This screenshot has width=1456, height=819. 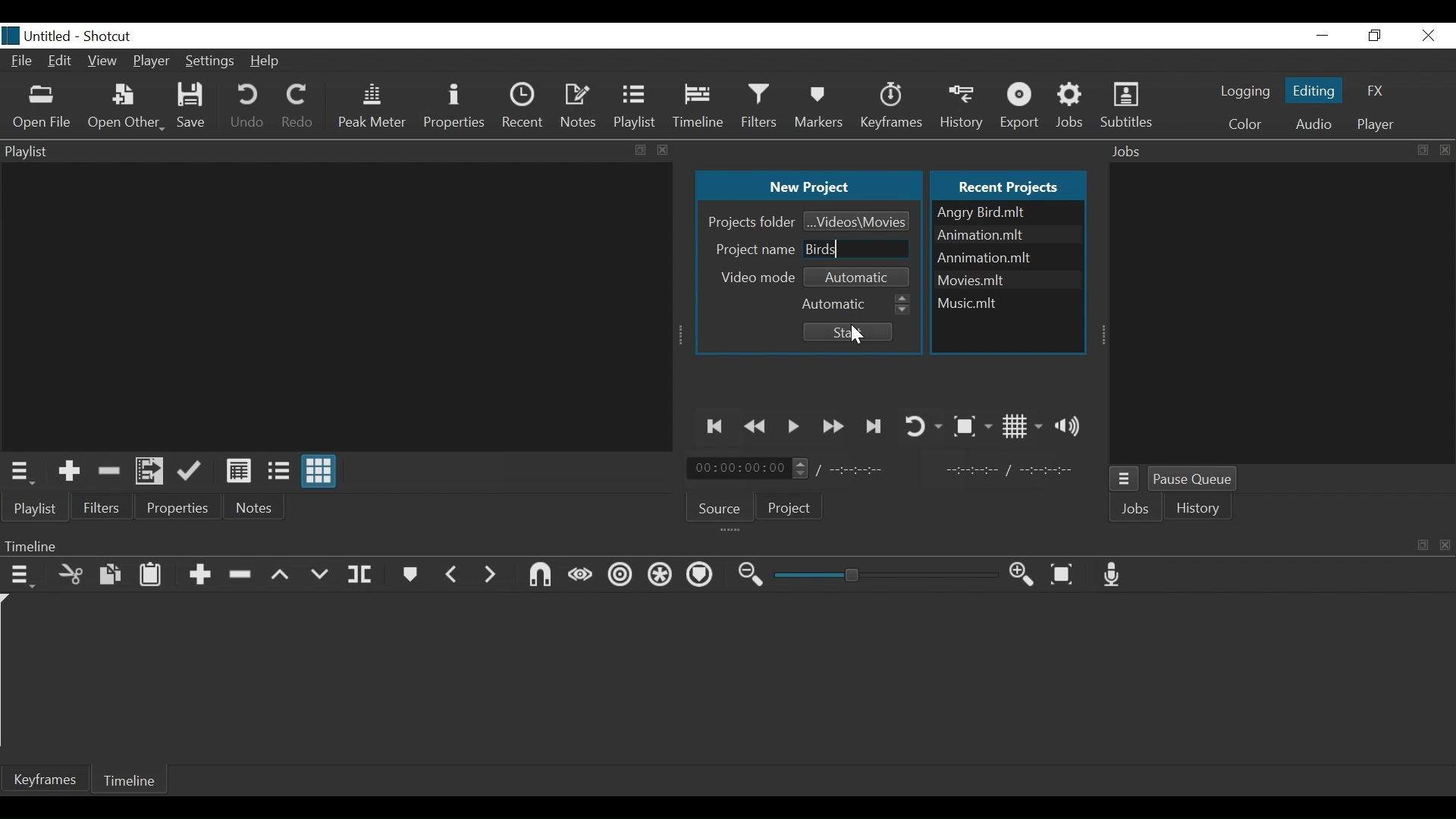 I want to click on Jobs Panel, so click(x=1280, y=151).